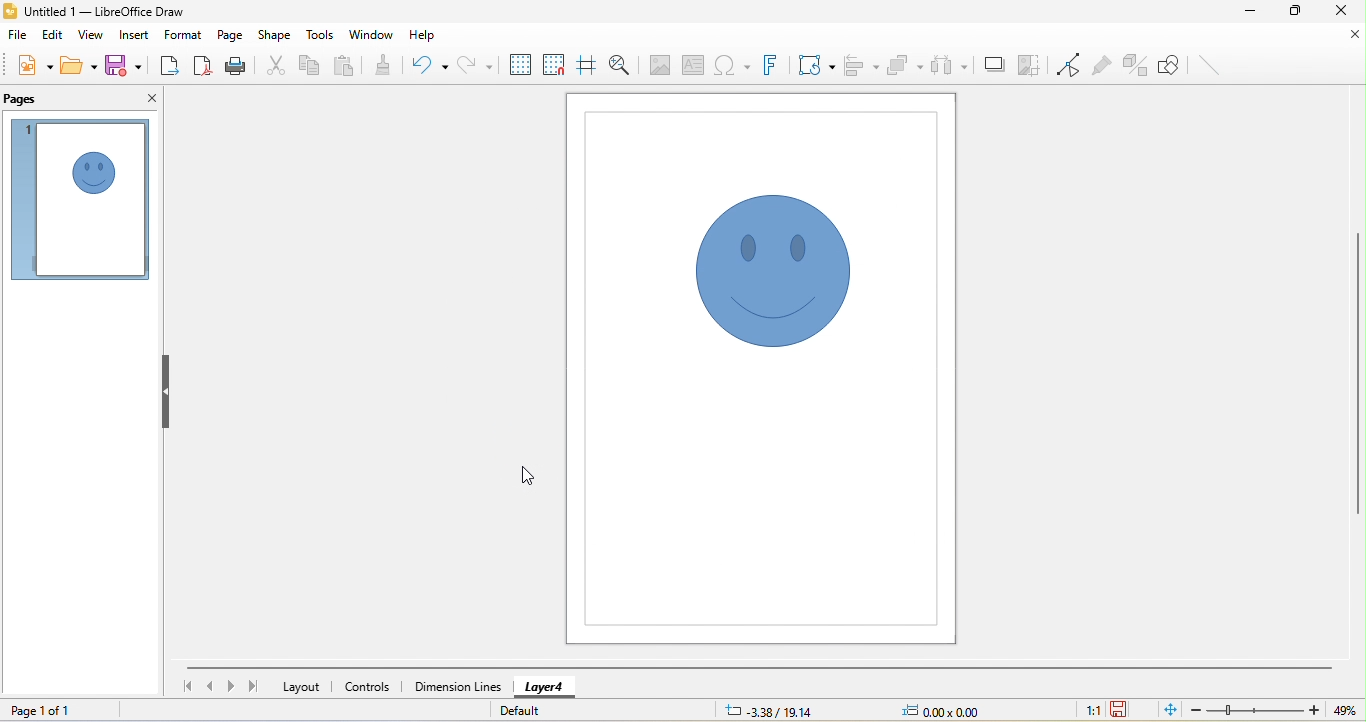  I want to click on glue point function, so click(1104, 65).